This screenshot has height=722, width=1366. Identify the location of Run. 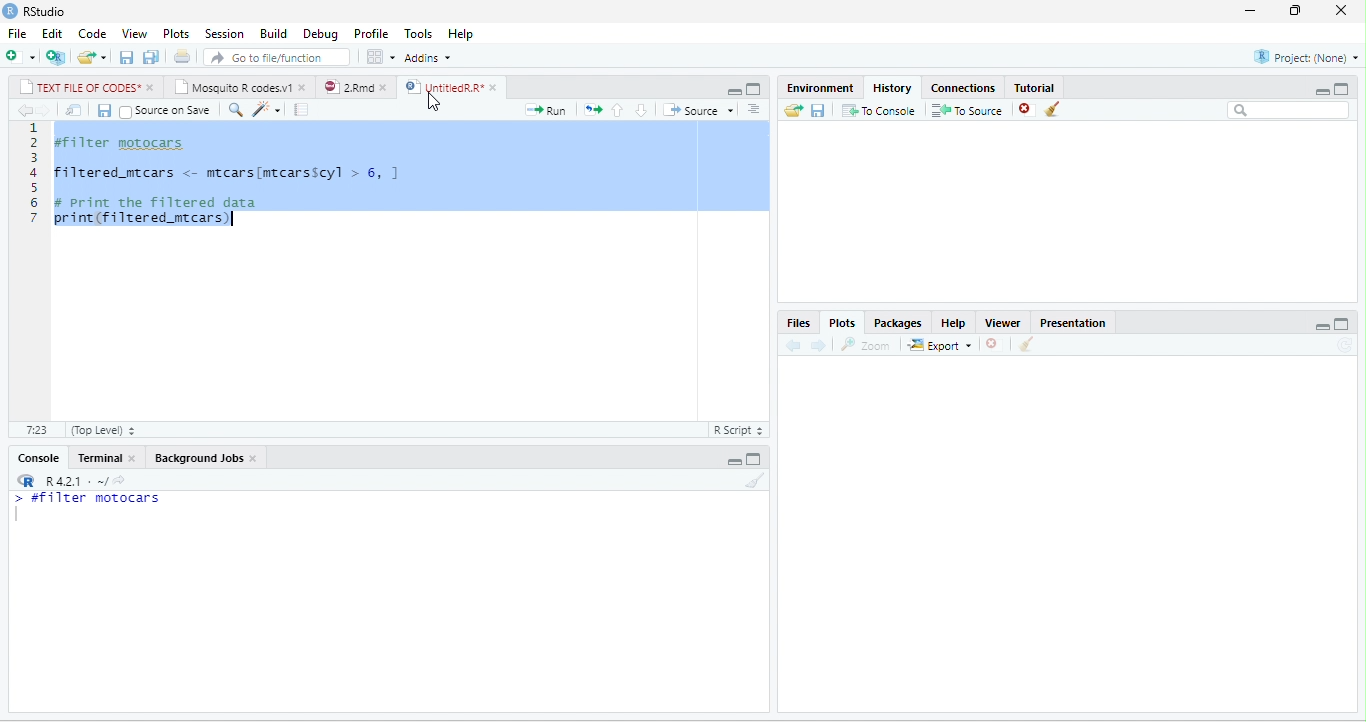
(545, 110).